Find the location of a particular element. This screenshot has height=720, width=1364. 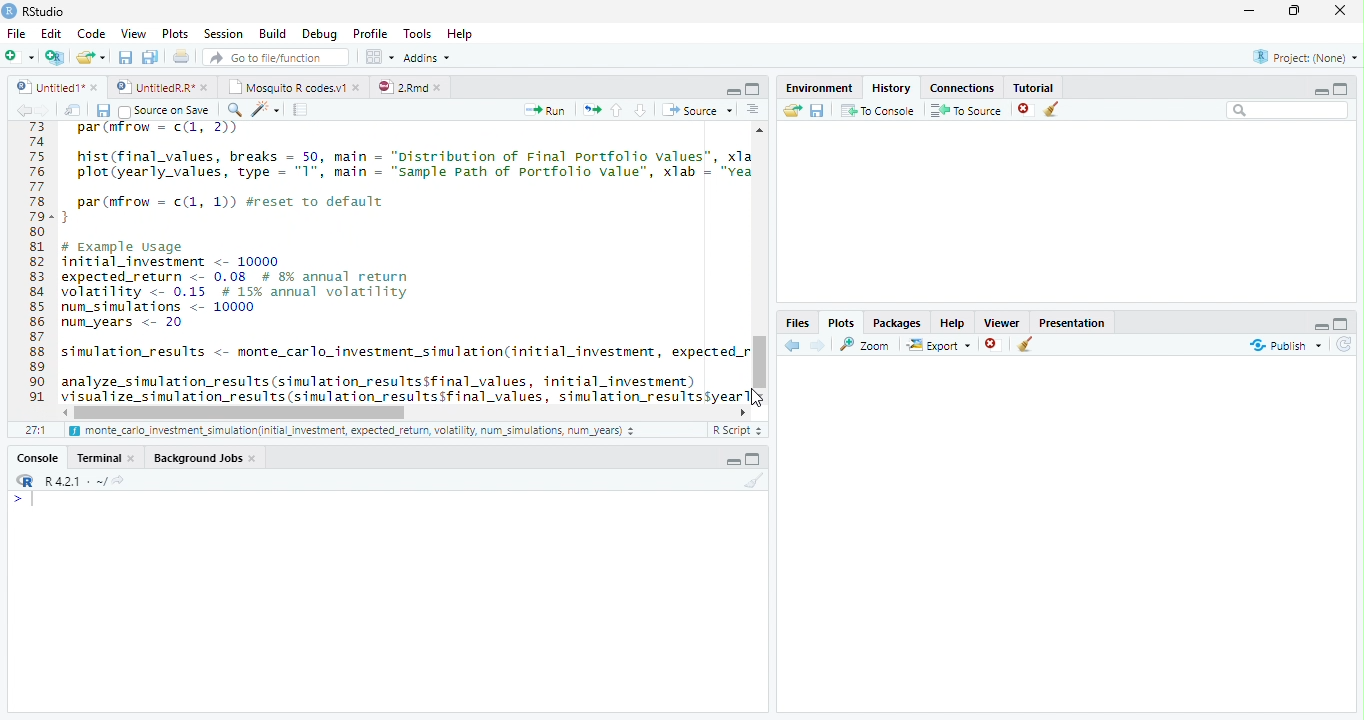

Go to previous section of code is located at coordinates (617, 112).